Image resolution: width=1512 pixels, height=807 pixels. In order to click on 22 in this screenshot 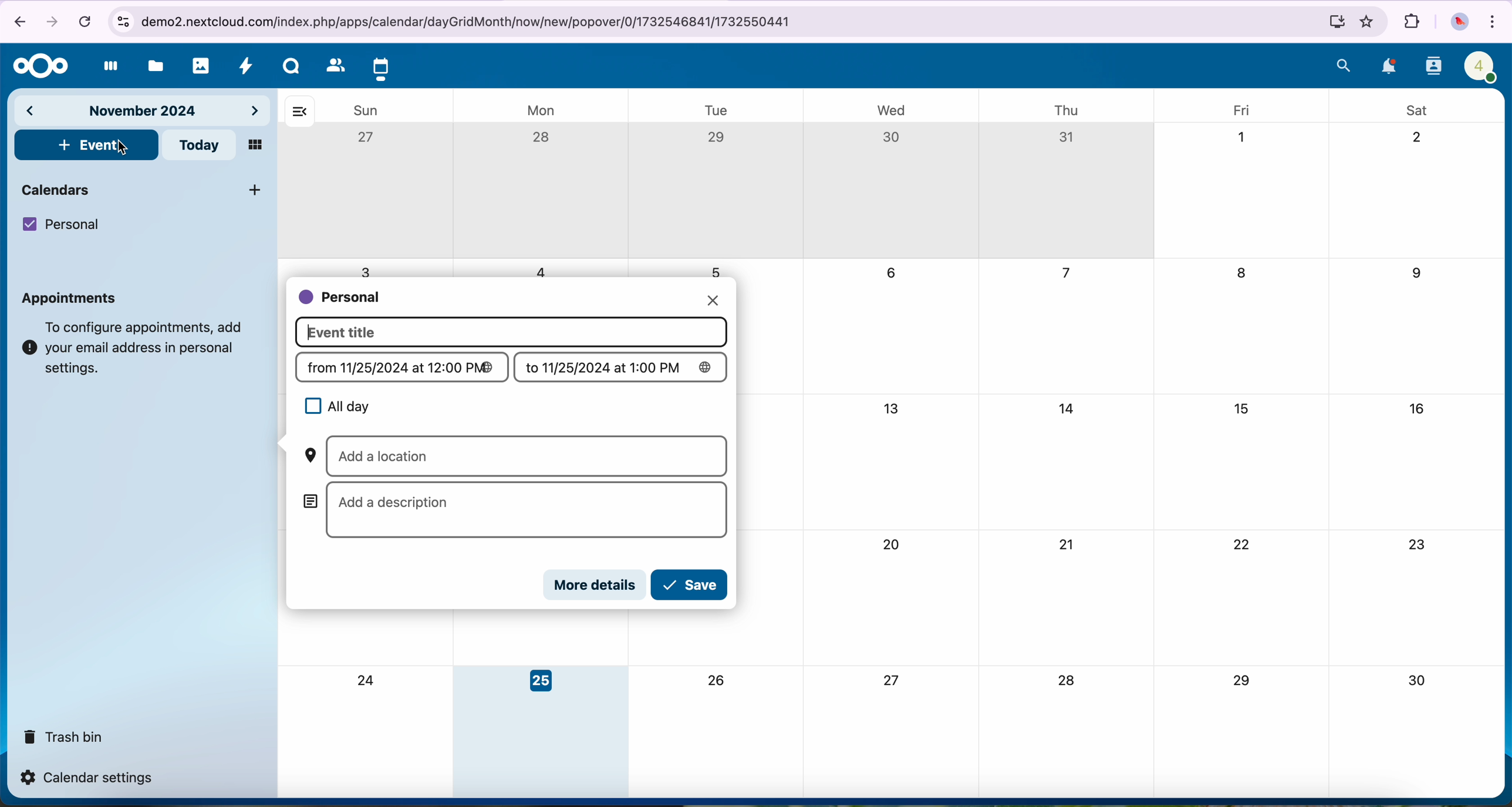, I will do `click(1241, 544)`.